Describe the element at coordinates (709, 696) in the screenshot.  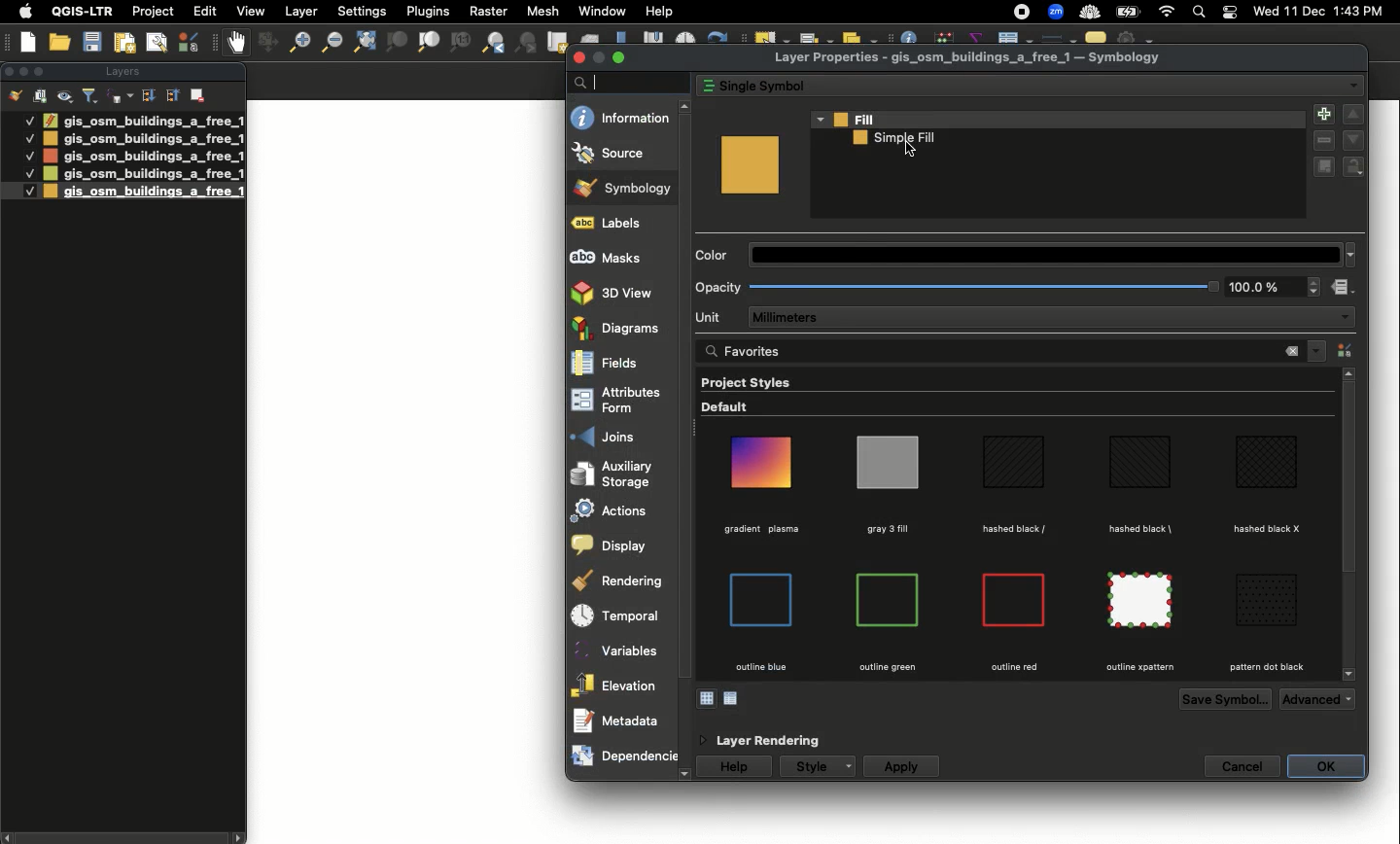
I see `` at that location.